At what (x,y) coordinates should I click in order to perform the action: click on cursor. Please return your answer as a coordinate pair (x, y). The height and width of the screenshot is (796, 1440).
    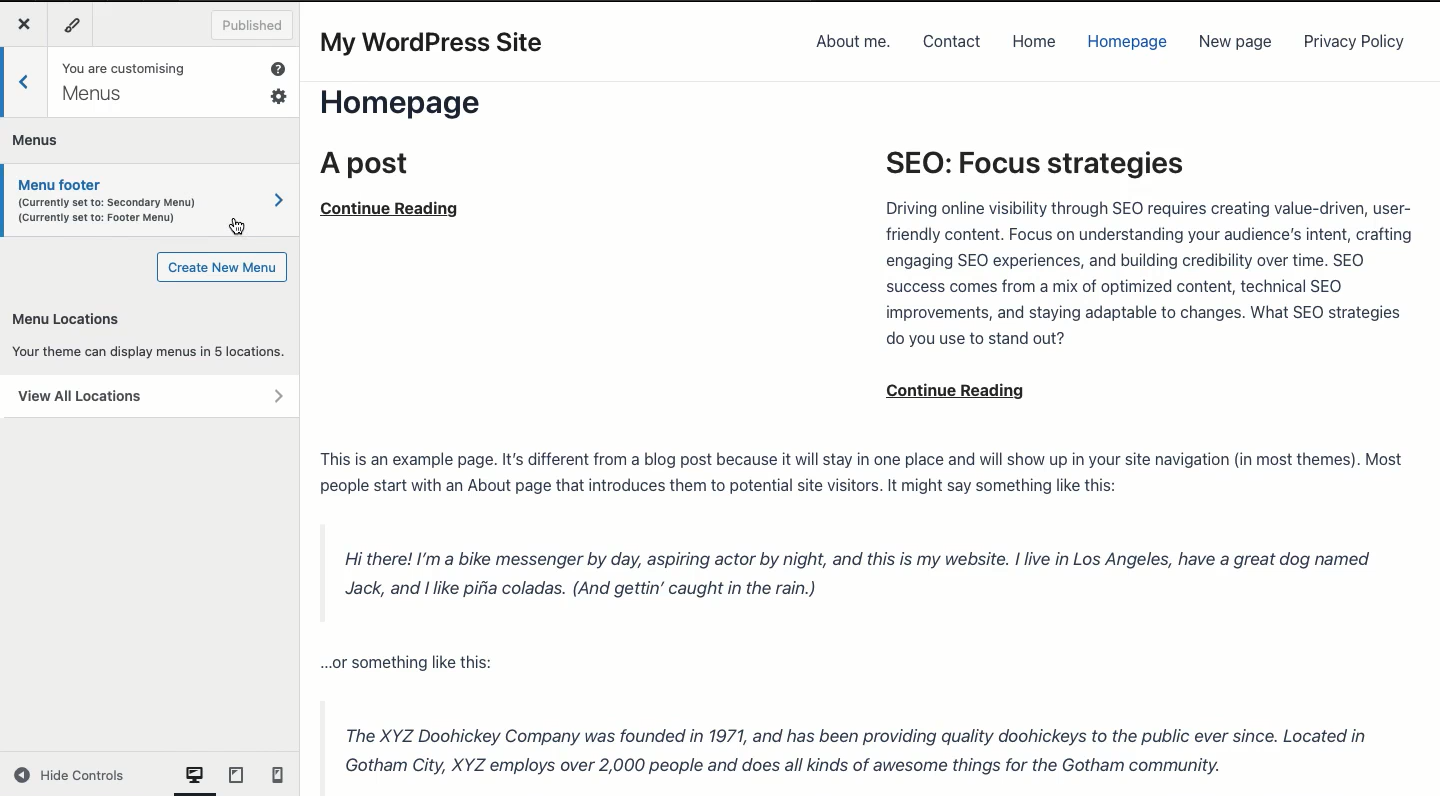
    Looking at the image, I should click on (239, 228).